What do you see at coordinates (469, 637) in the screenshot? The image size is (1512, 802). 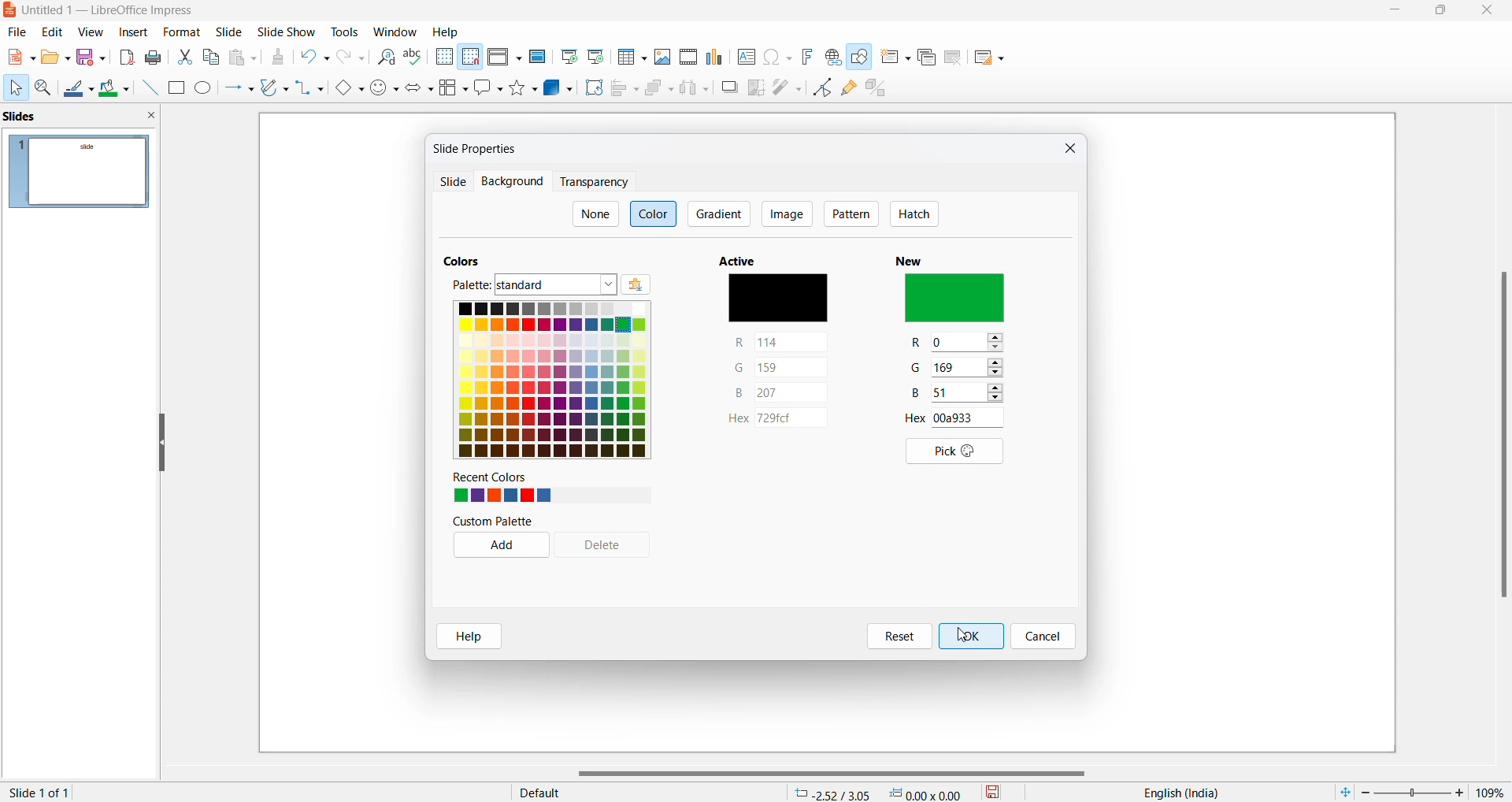 I see `help` at bounding box center [469, 637].